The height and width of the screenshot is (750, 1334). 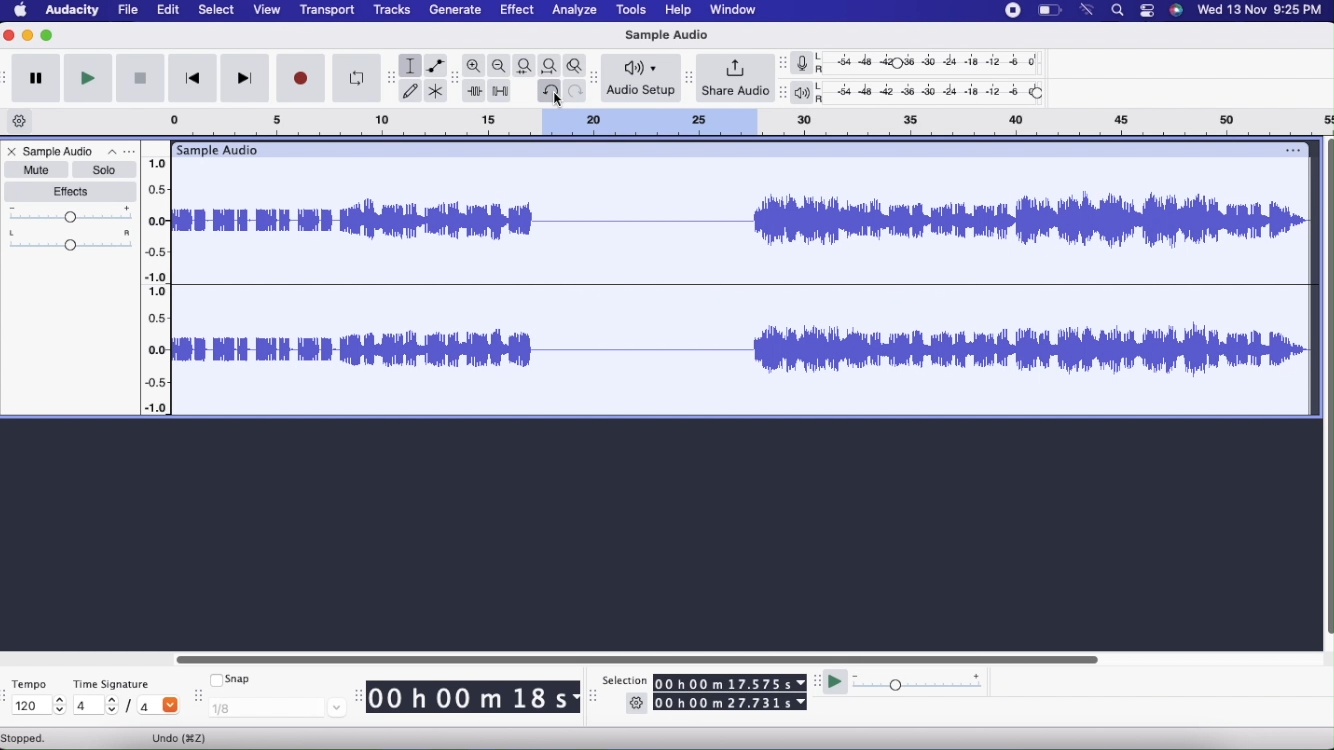 What do you see at coordinates (576, 11) in the screenshot?
I see `Analyze` at bounding box center [576, 11].